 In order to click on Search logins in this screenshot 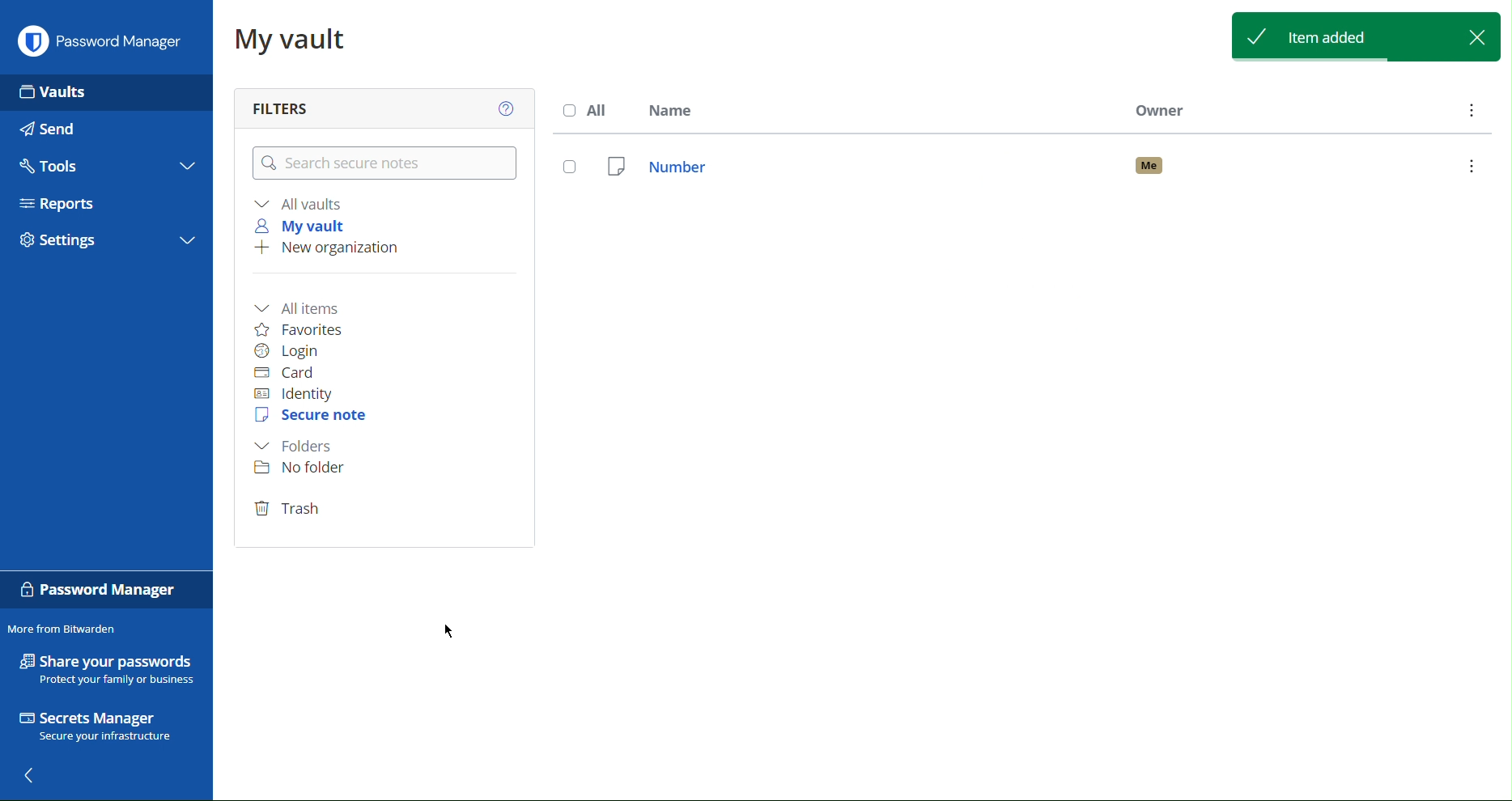, I will do `click(385, 163)`.